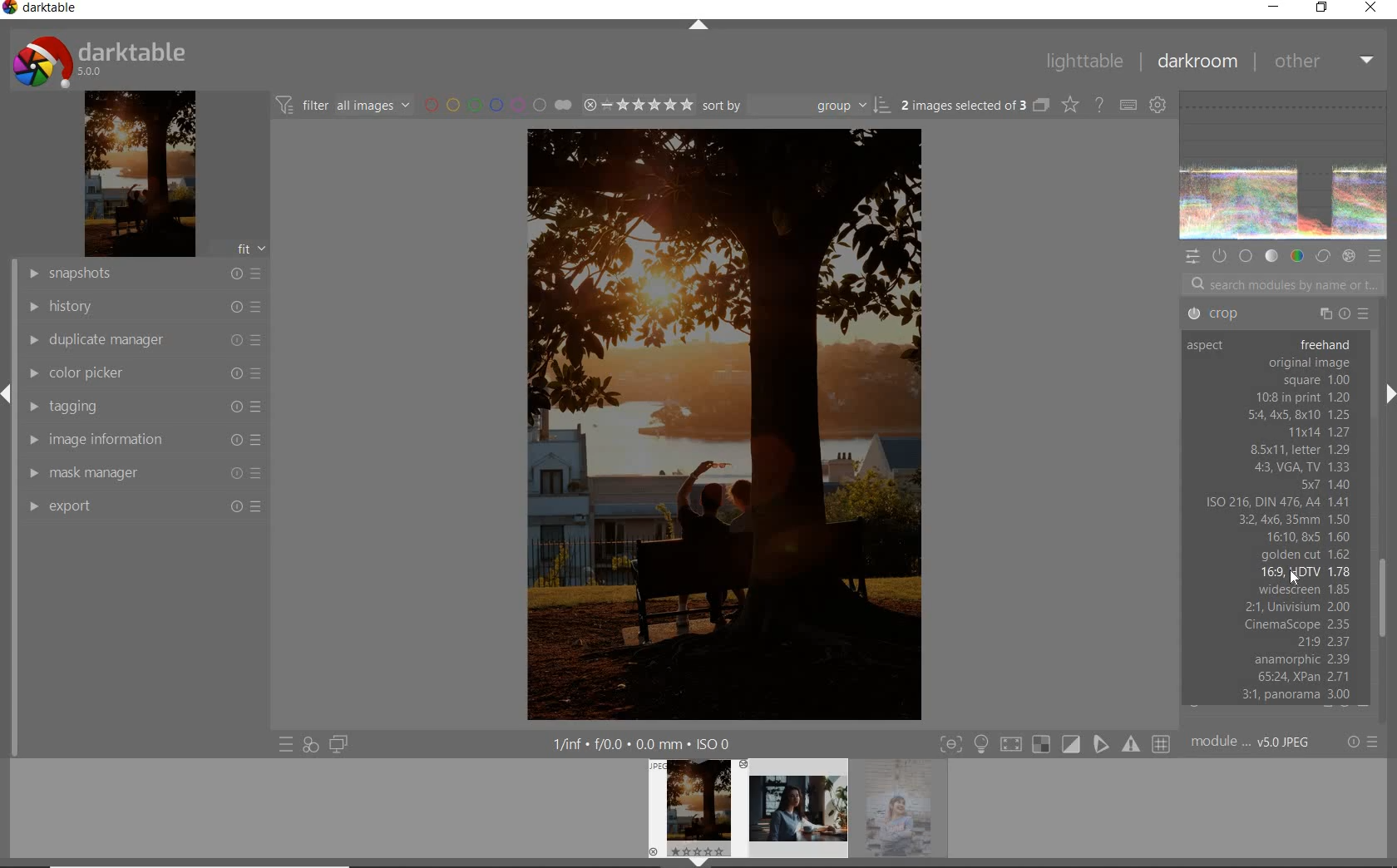  I want to click on expand/collapse, so click(8, 392).